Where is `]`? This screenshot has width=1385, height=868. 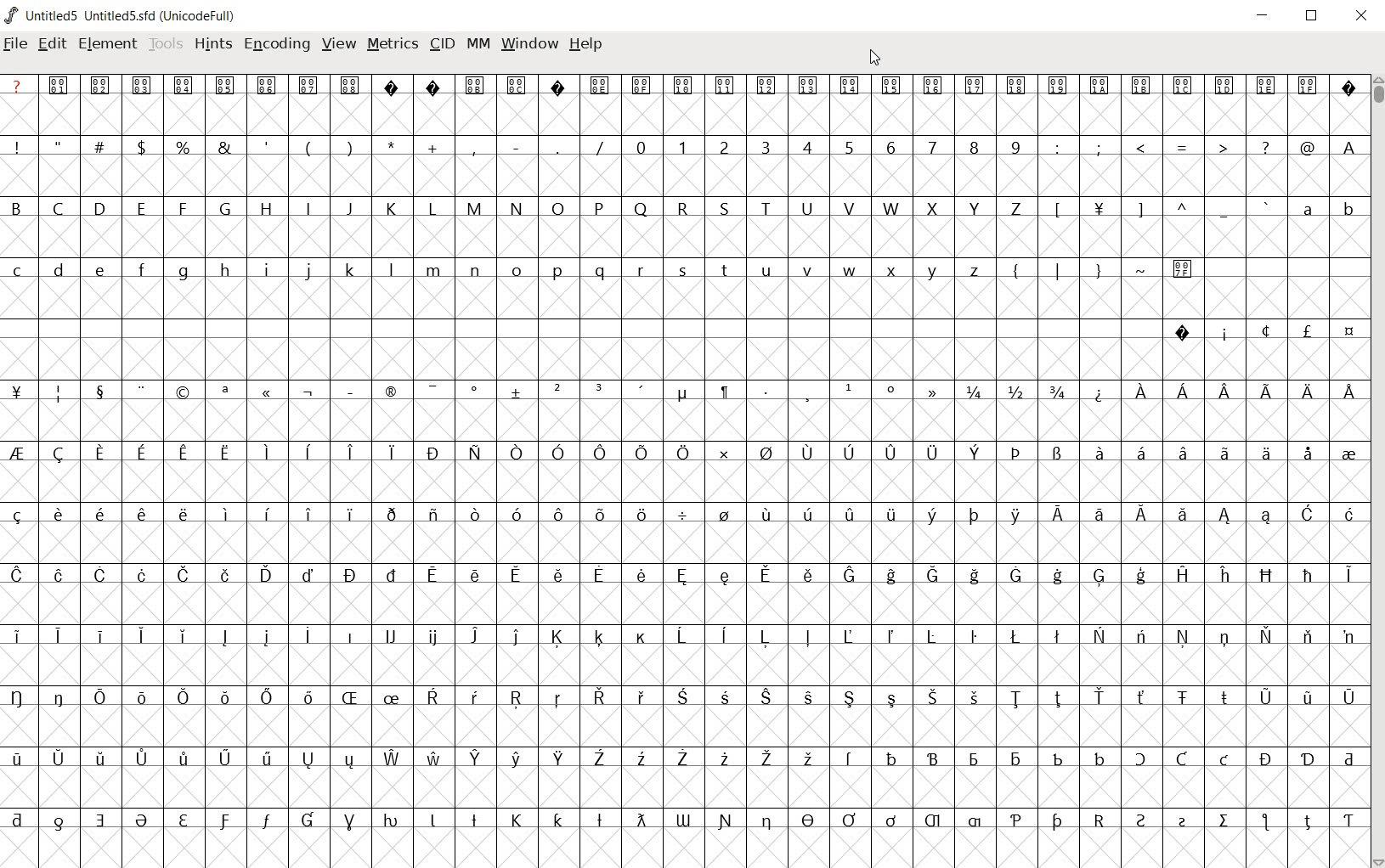
] is located at coordinates (1141, 208).